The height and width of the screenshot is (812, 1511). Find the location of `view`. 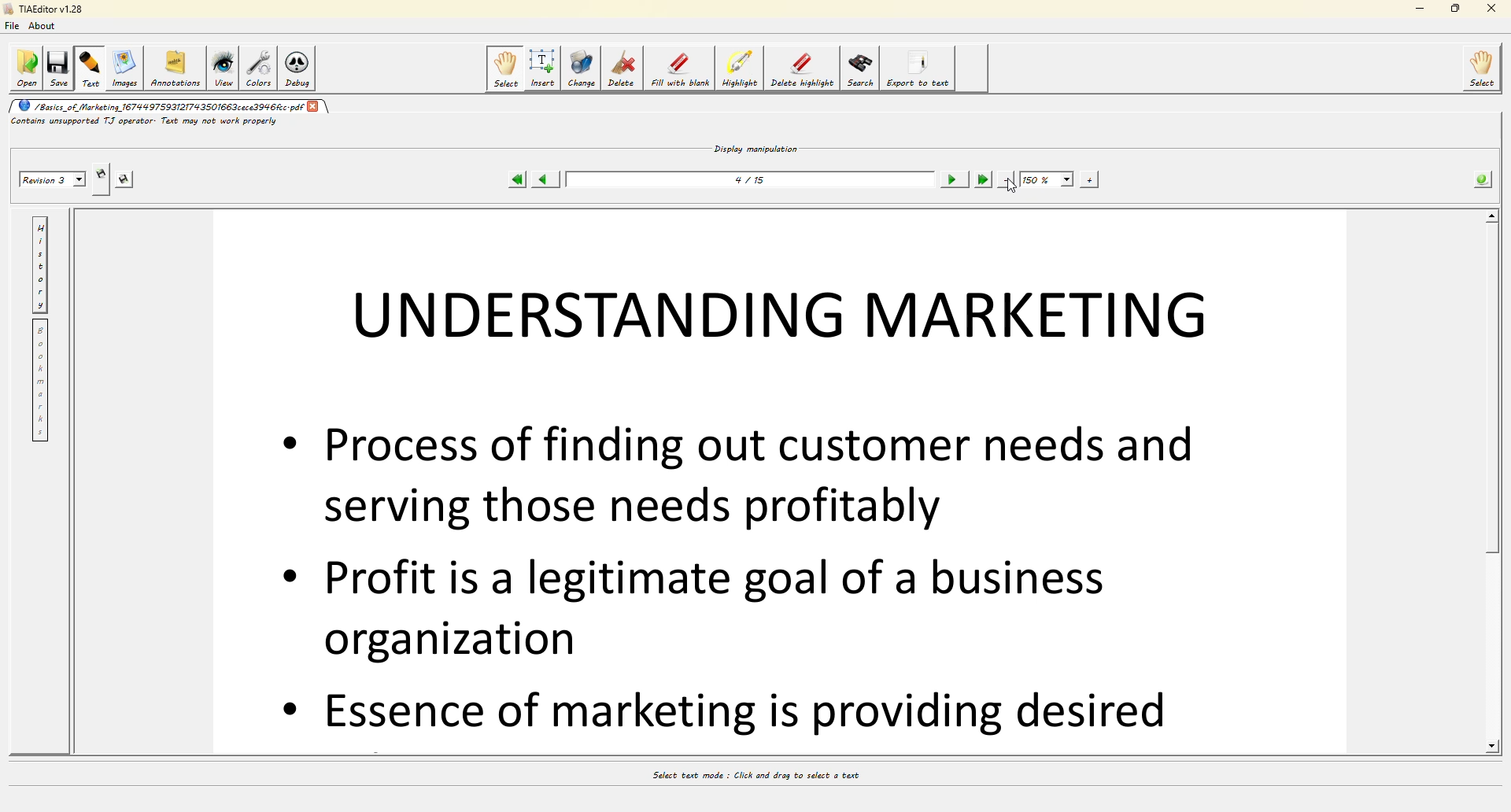

view is located at coordinates (224, 65).